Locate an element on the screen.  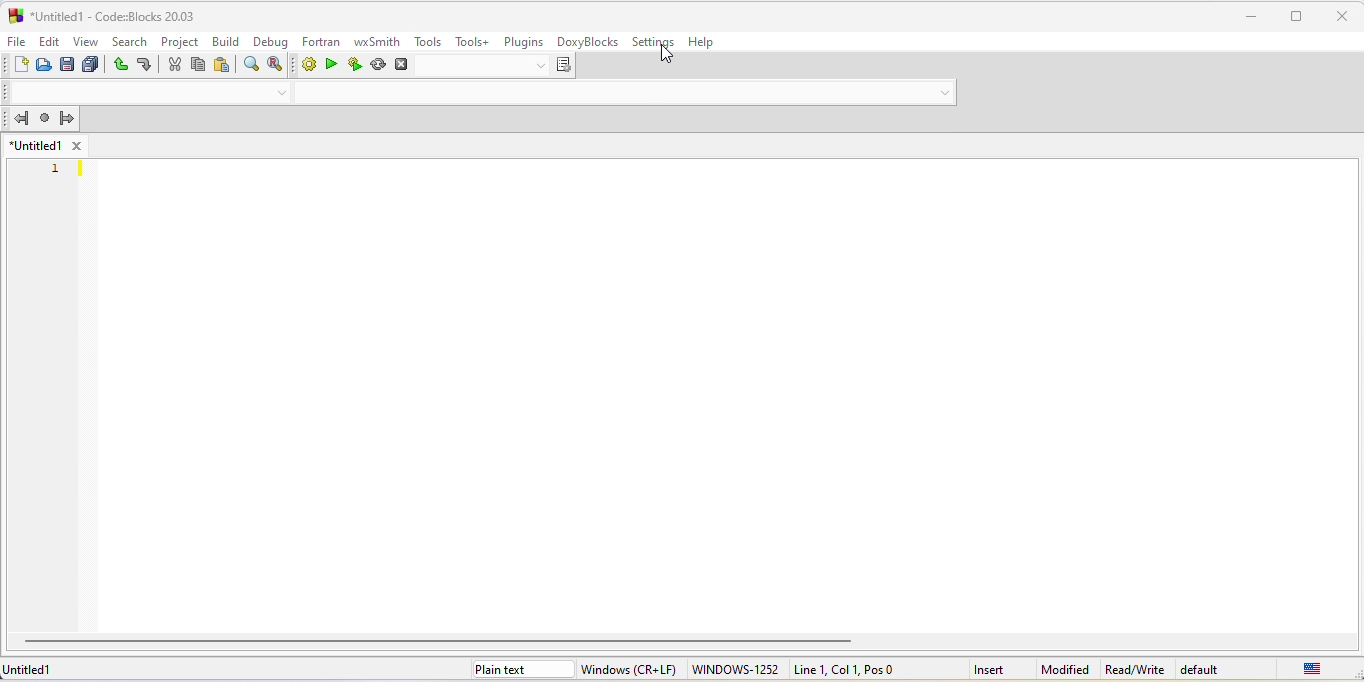
undo is located at coordinates (119, 65).